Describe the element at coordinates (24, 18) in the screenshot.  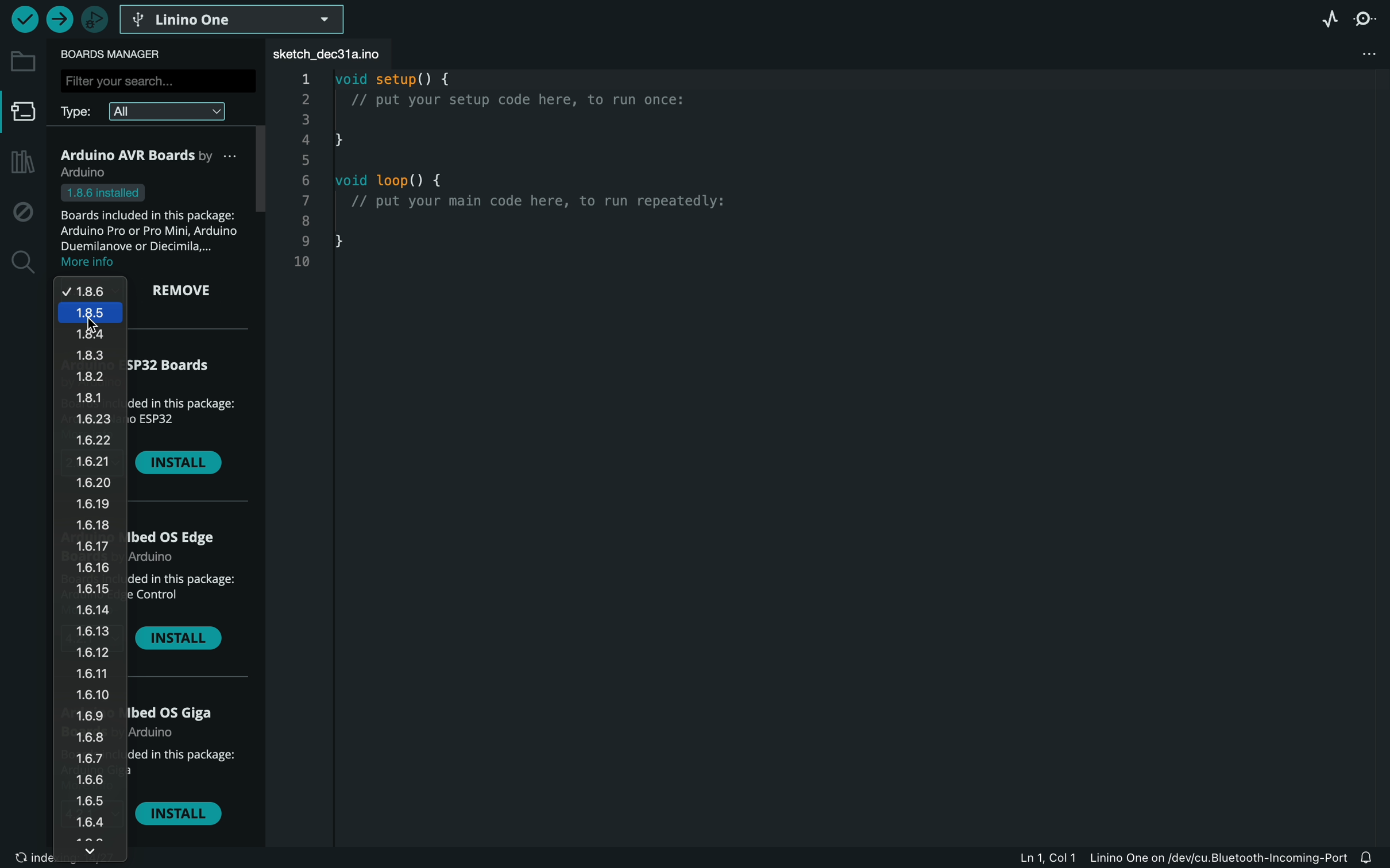
I see `verify` at that location.